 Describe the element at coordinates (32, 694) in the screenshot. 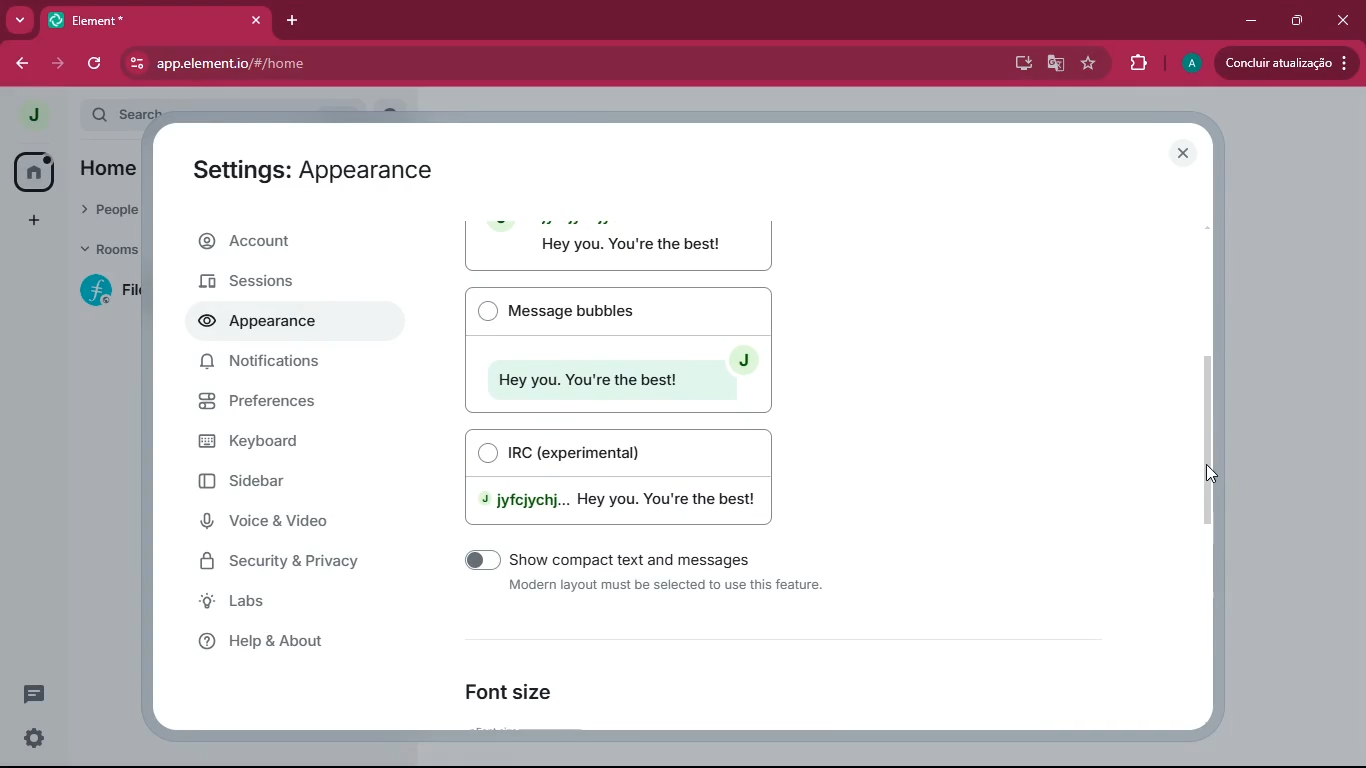

I see `message` at that location.